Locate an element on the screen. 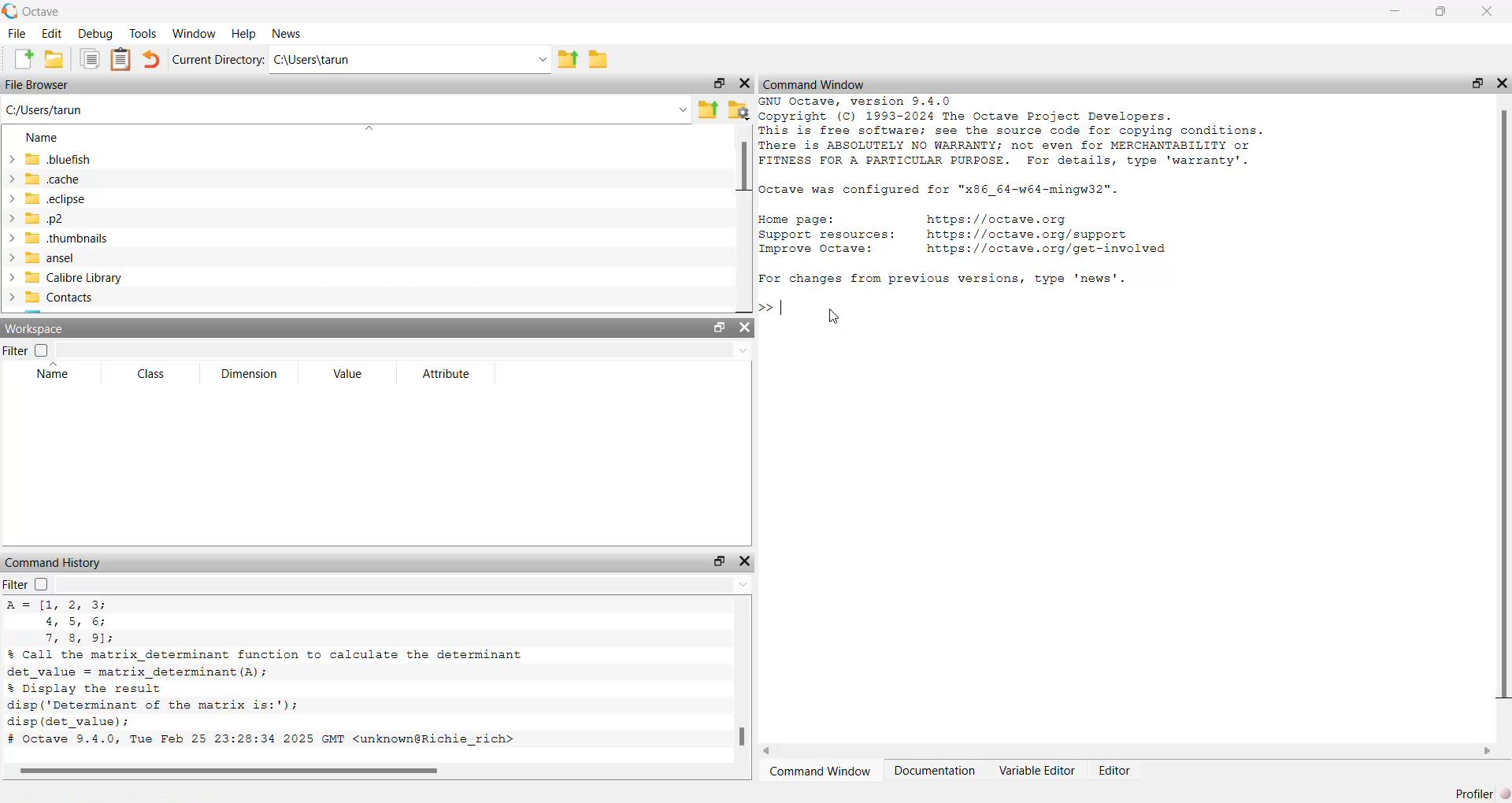 The image size is (1512, 803). debug is located at coordinates (97, 33).